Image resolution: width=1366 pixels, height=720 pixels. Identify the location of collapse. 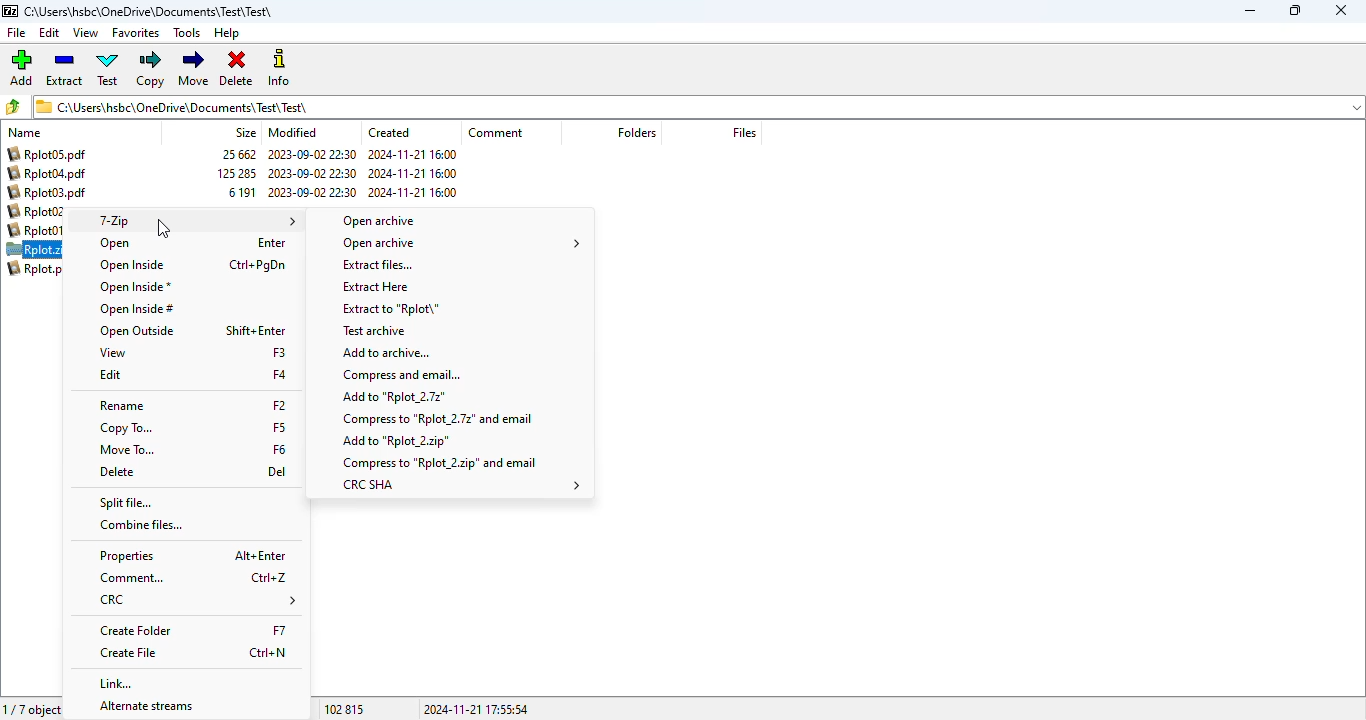
(1356, 108).